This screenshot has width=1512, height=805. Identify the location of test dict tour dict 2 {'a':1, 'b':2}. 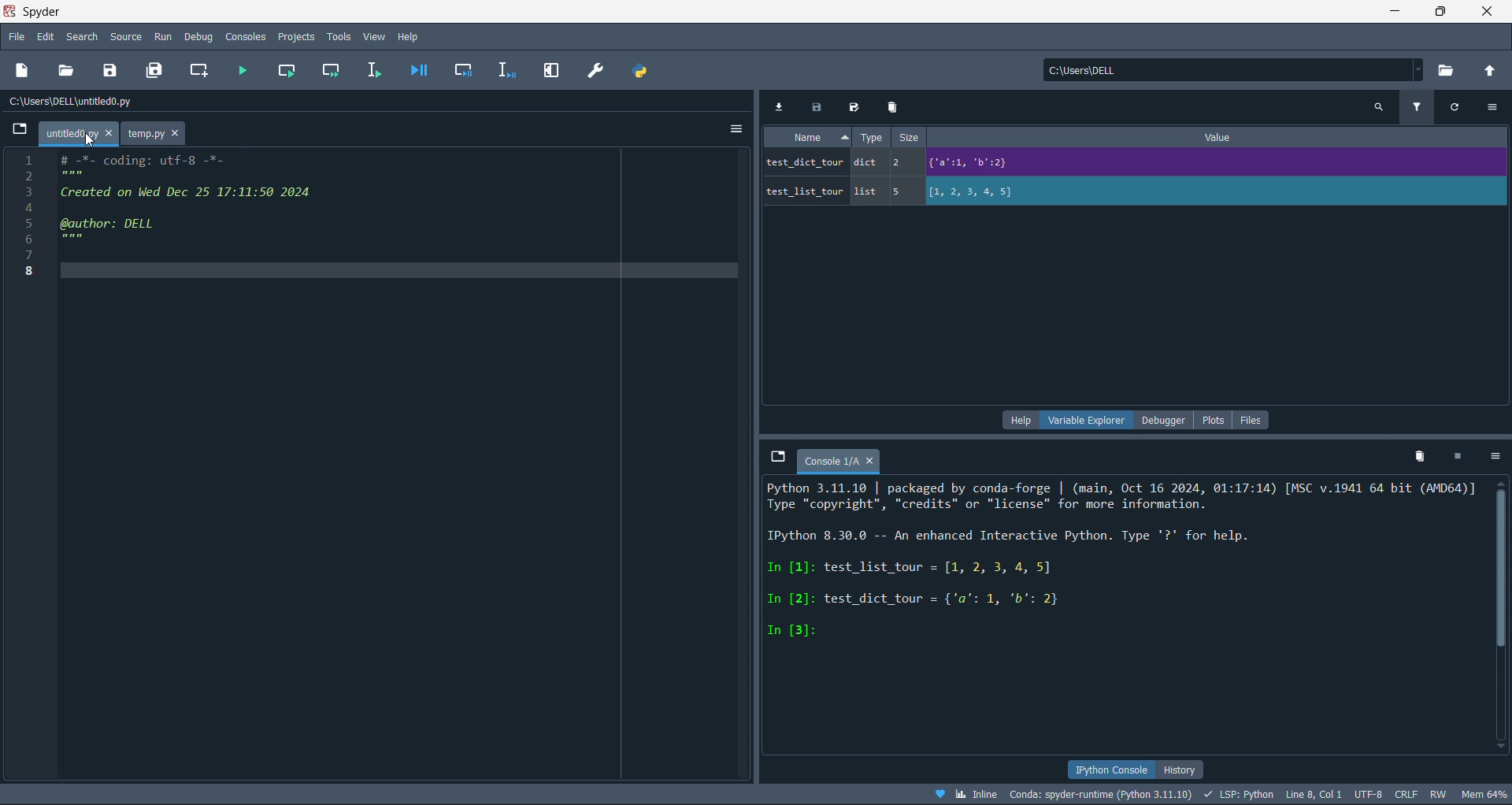
(990, 163).